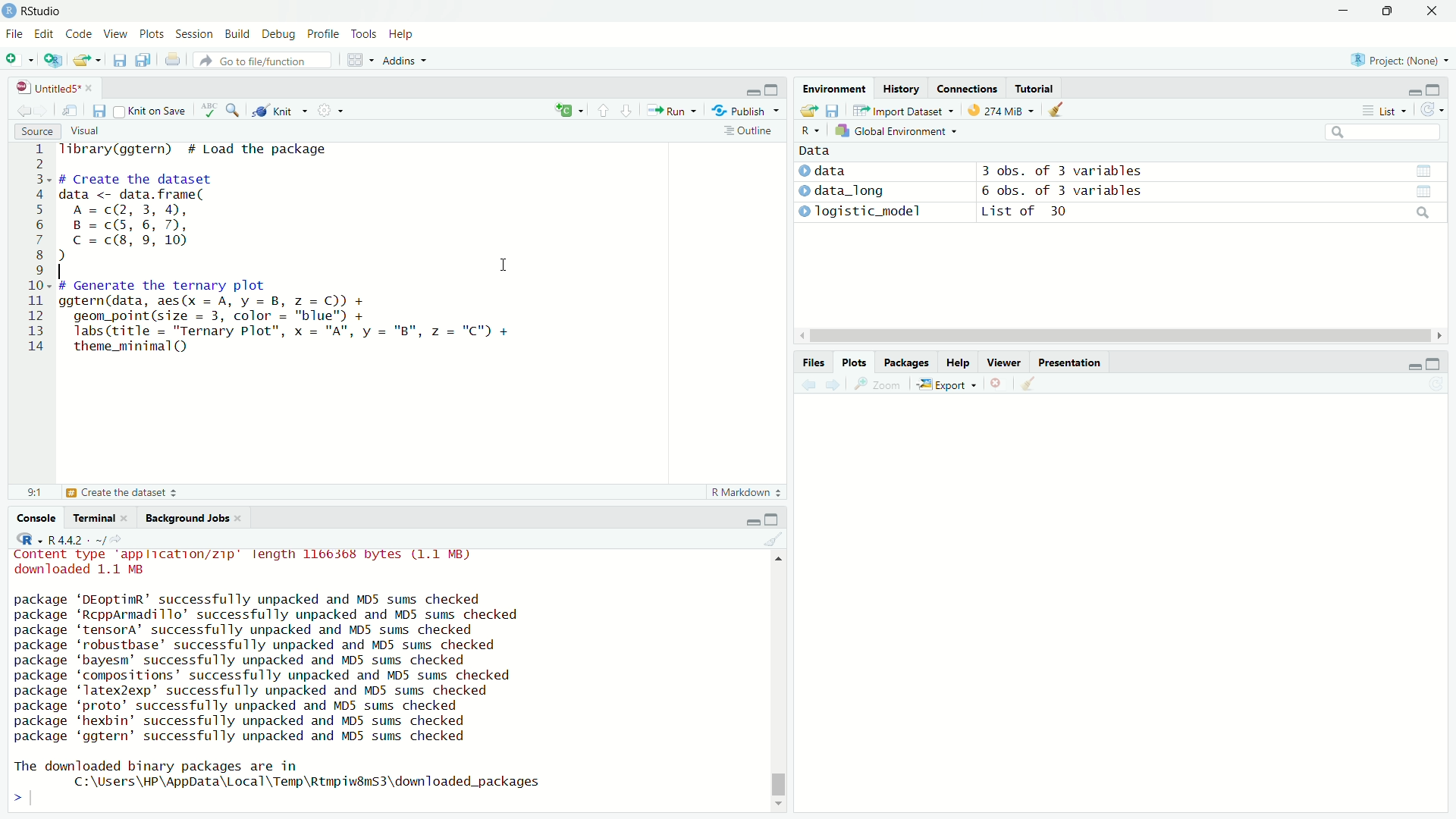 Image resolution: width=1456 pixels, height=819 pixels. Describe the element at coordinates (1431, 191) in the screenshot. I see `view` at that location.